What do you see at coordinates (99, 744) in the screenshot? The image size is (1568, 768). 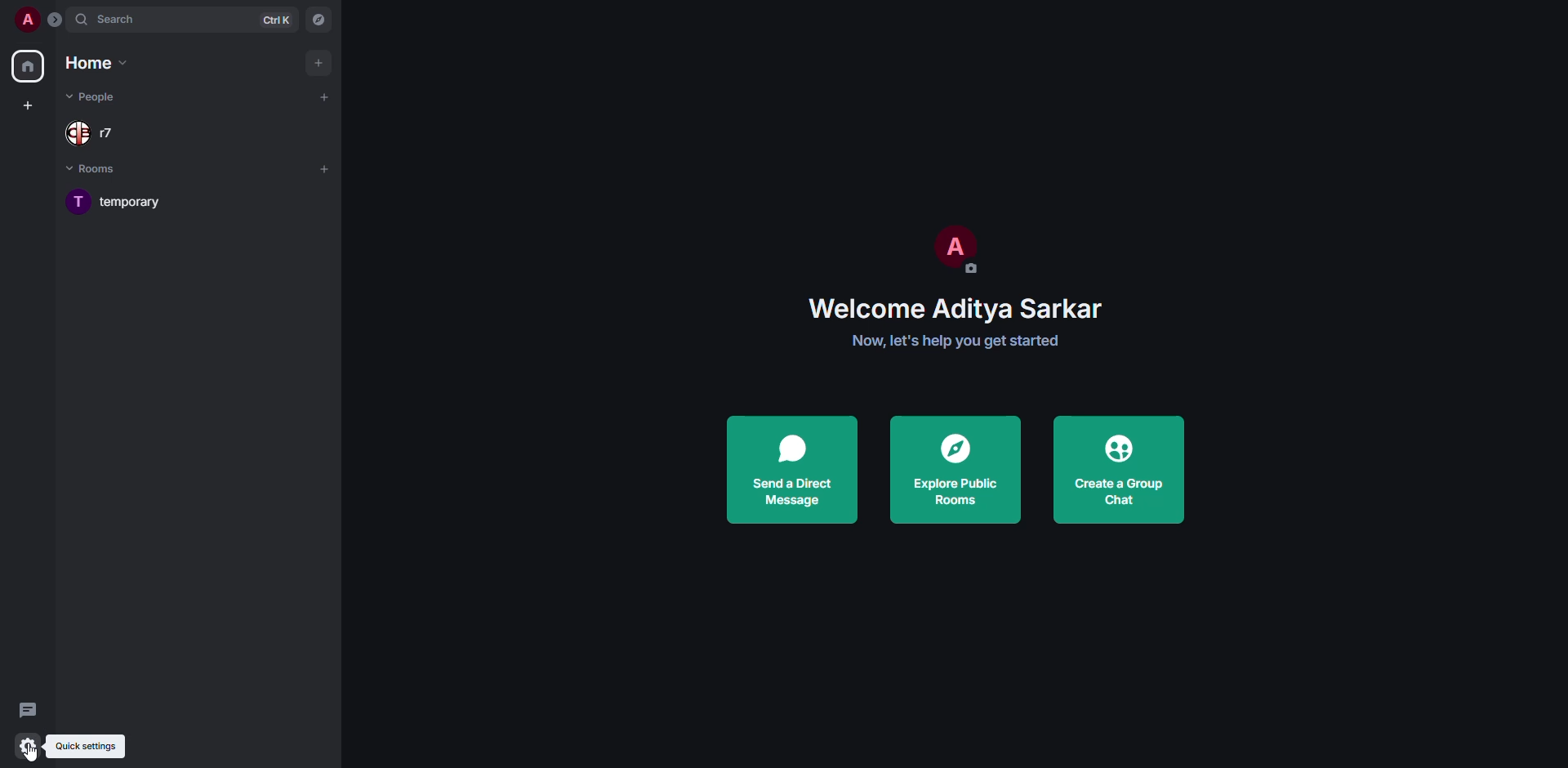 I see `quick settings` at bounding box center [99, 744].